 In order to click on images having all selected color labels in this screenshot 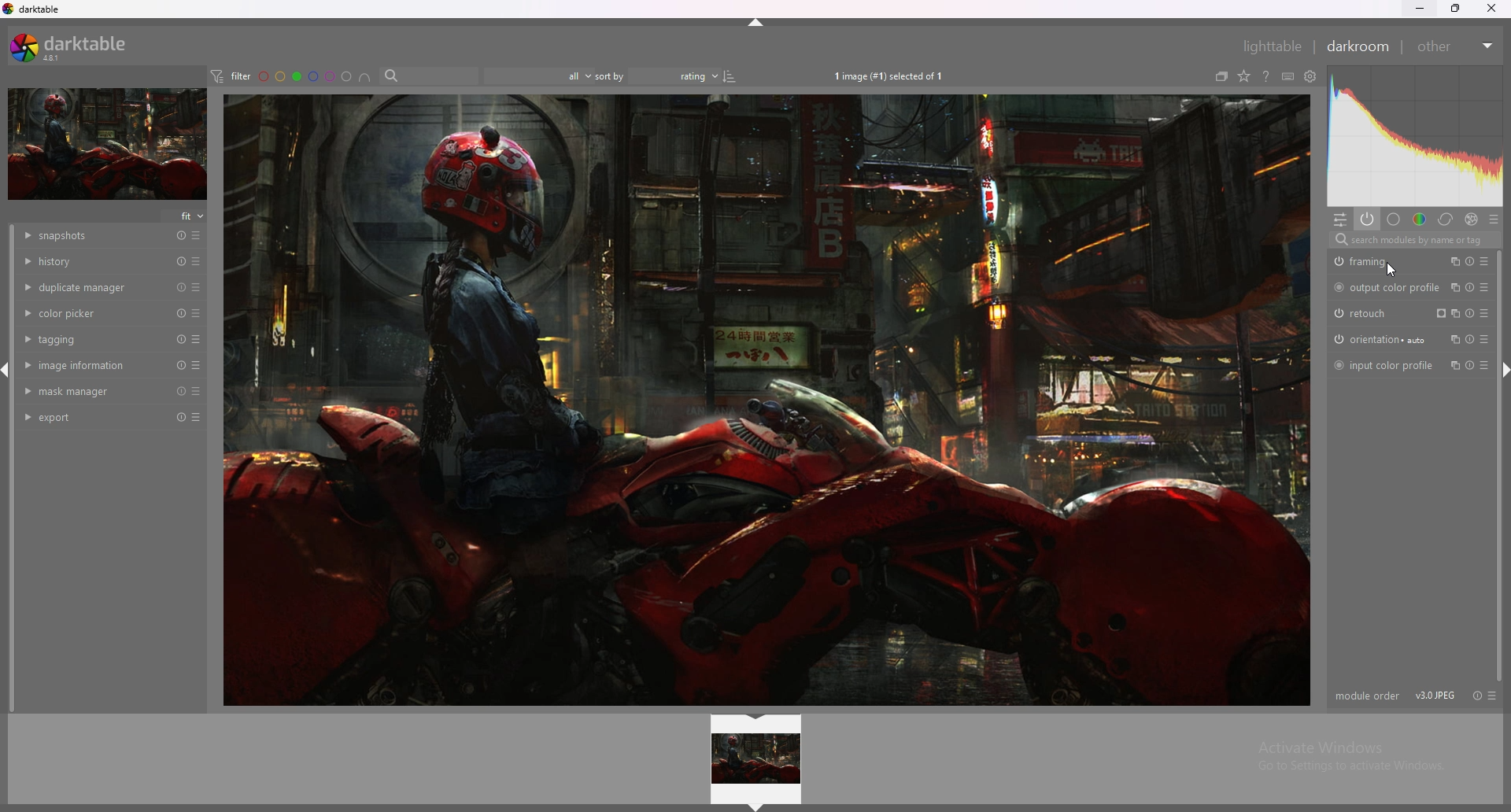, I will do `click(364, 76)`.